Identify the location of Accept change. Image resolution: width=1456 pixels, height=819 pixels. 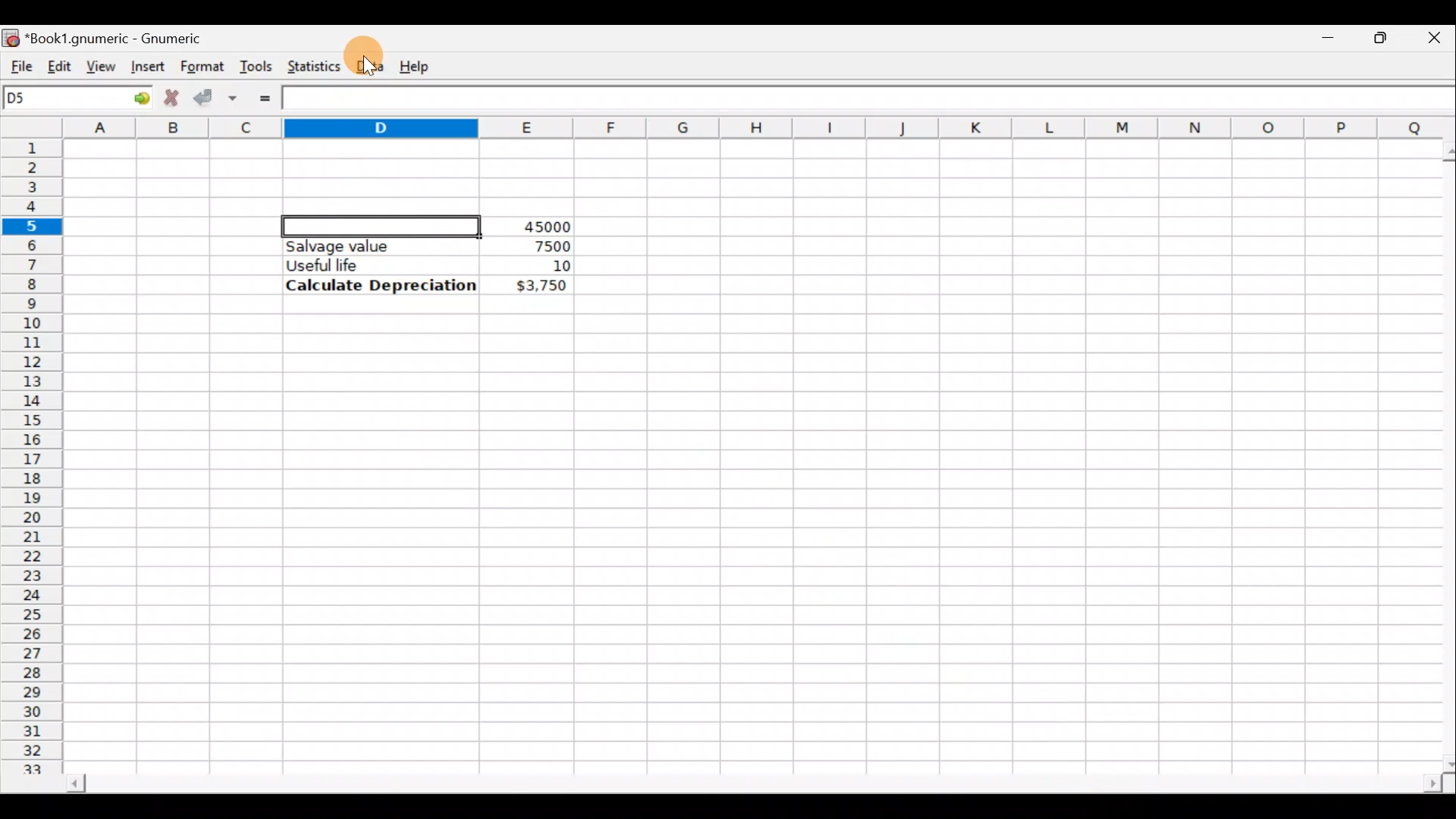
(215, 96).